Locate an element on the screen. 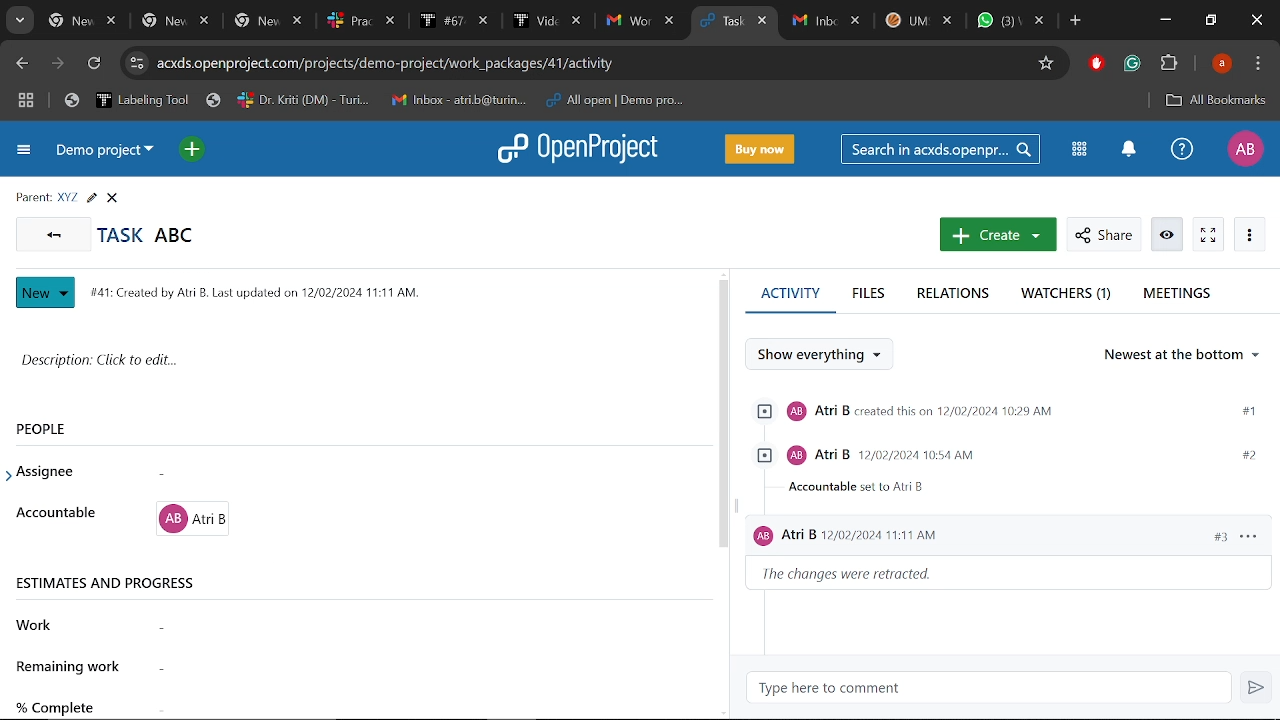 This screenshot has width=1280, height=720. Activate zen mode is located at coordinates (1209, 235).